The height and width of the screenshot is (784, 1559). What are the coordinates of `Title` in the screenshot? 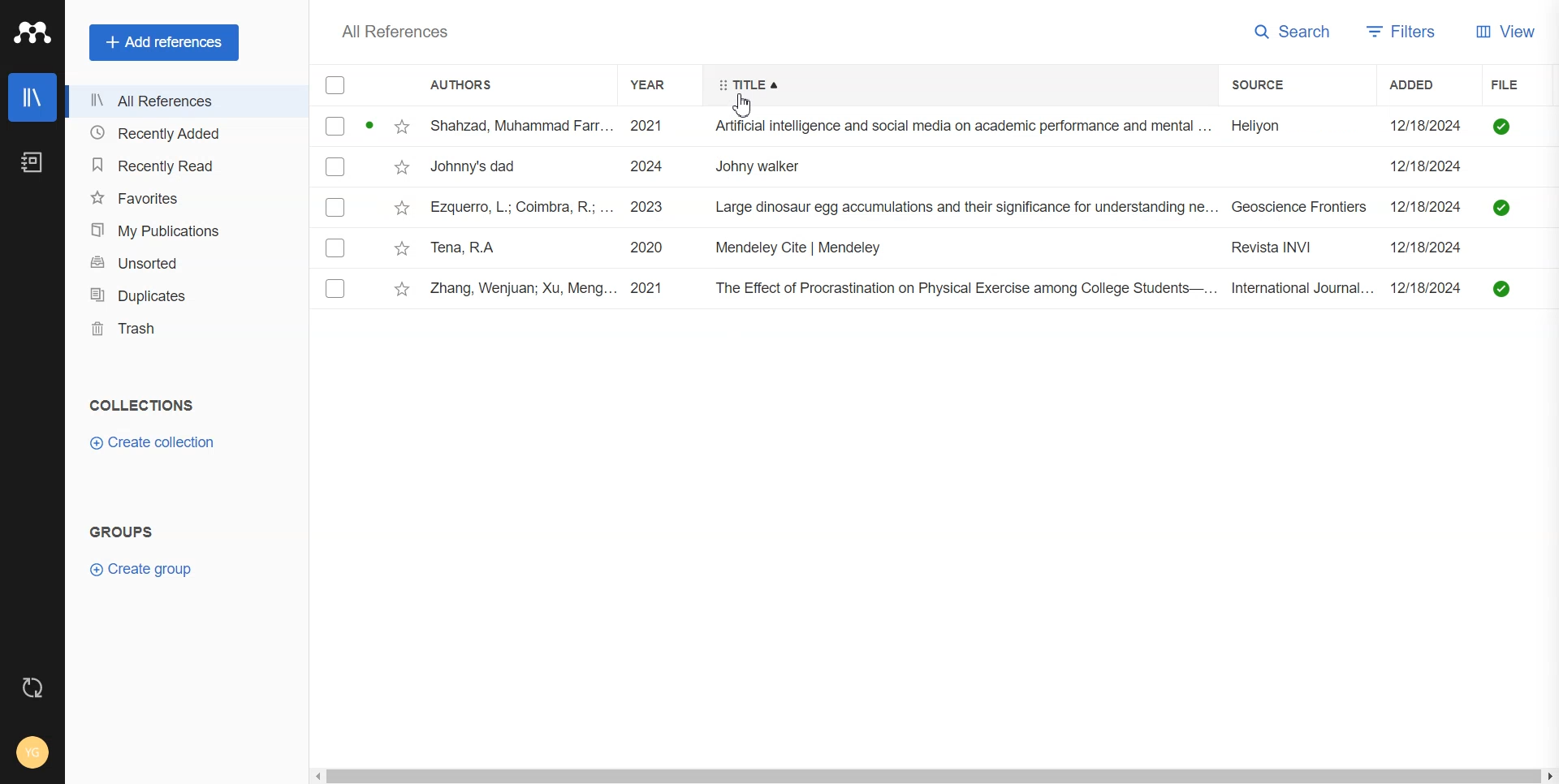 It's located at (749, 85).